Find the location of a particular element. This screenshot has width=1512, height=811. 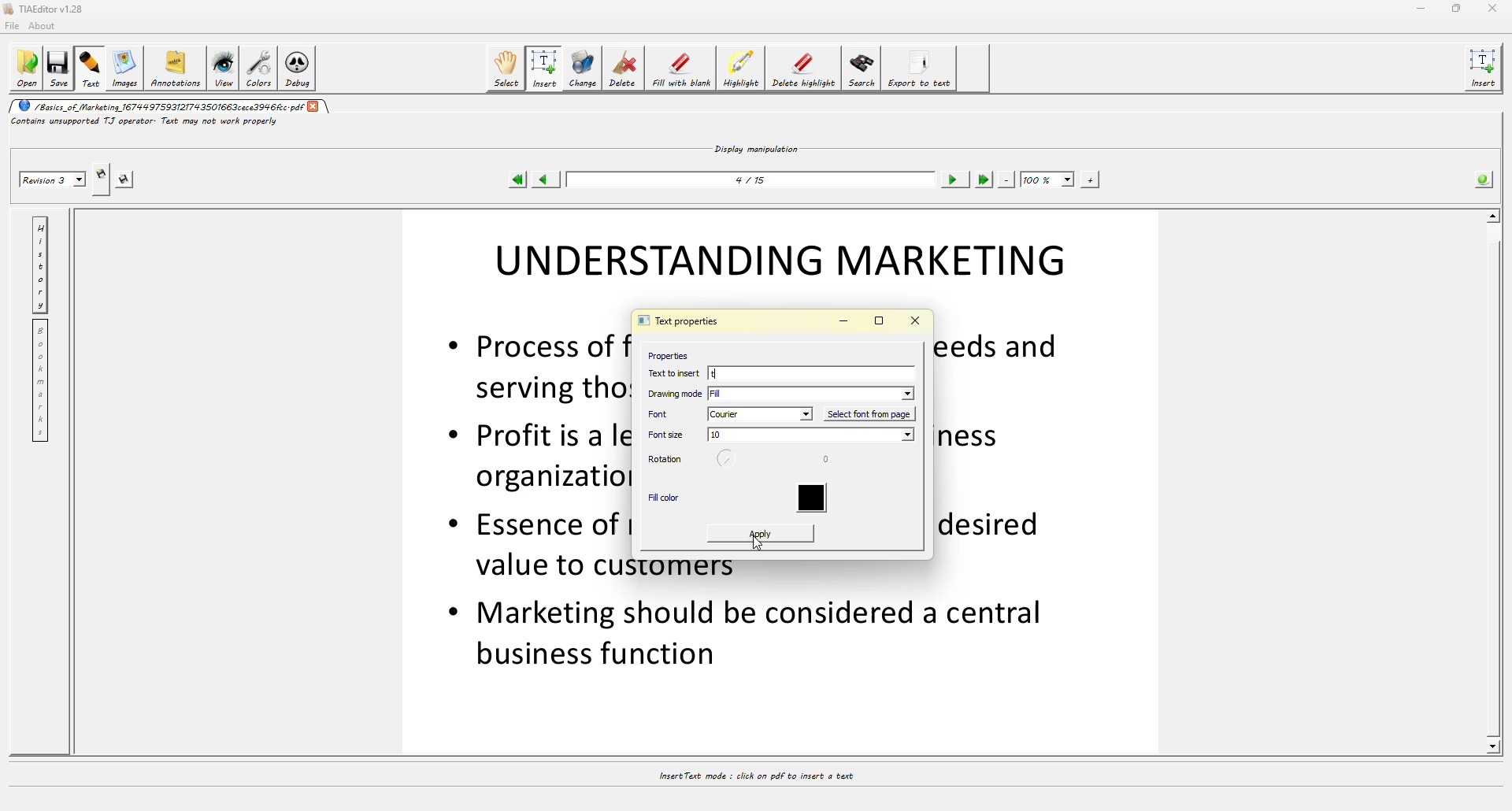

zoom out is located at coordinates (1007, 179).